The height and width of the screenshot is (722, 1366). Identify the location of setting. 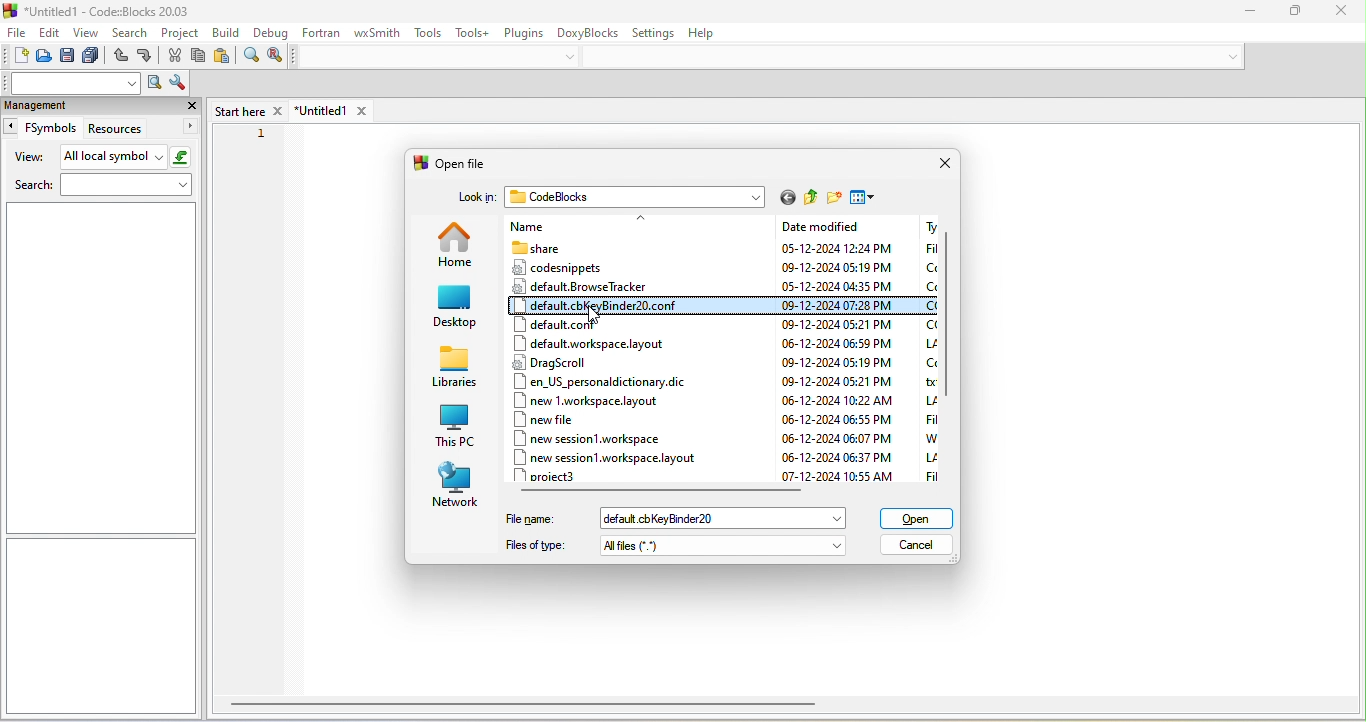
(657, 34).